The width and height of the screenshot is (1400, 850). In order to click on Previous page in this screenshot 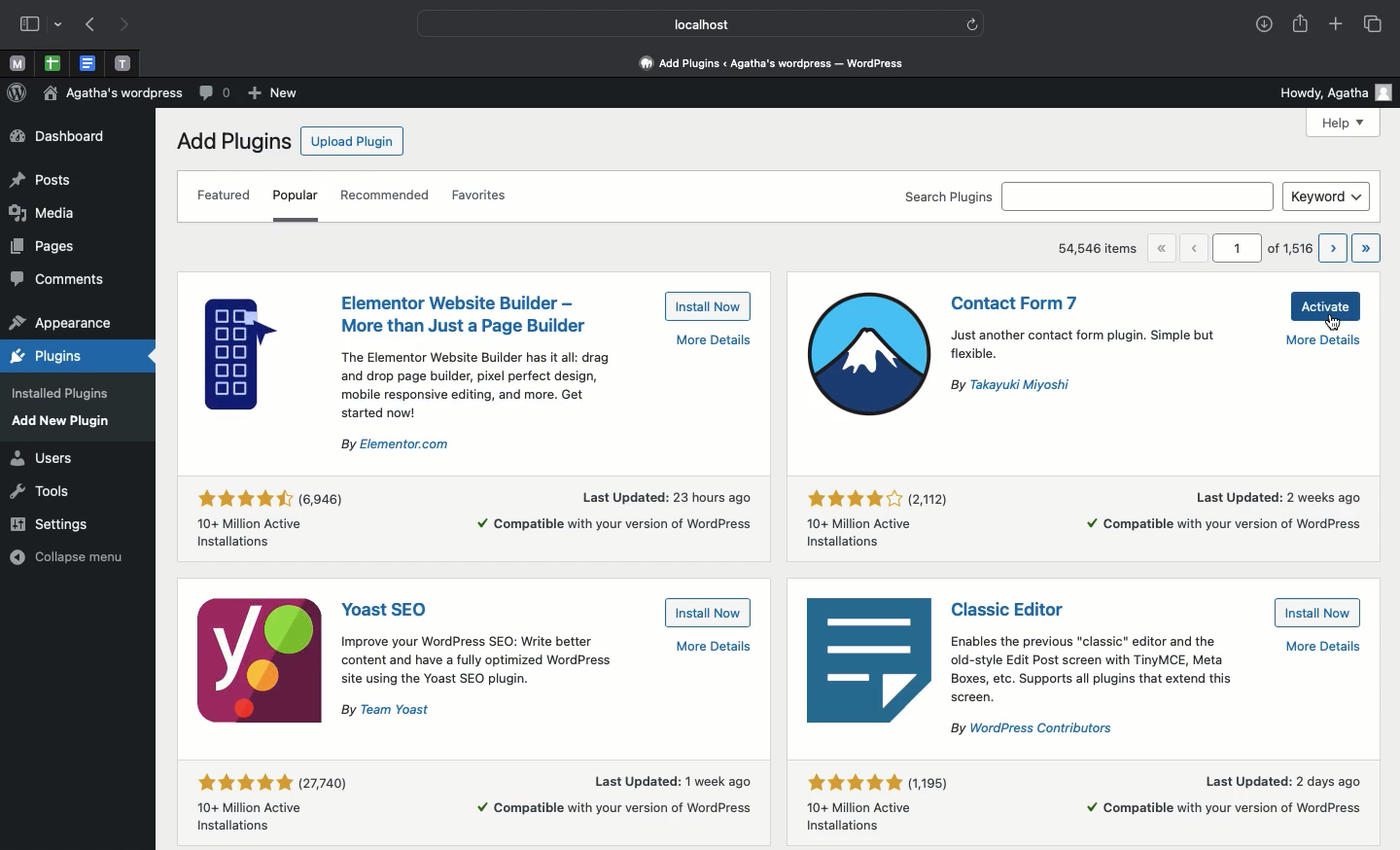, I will do `click(1197, 247)`.